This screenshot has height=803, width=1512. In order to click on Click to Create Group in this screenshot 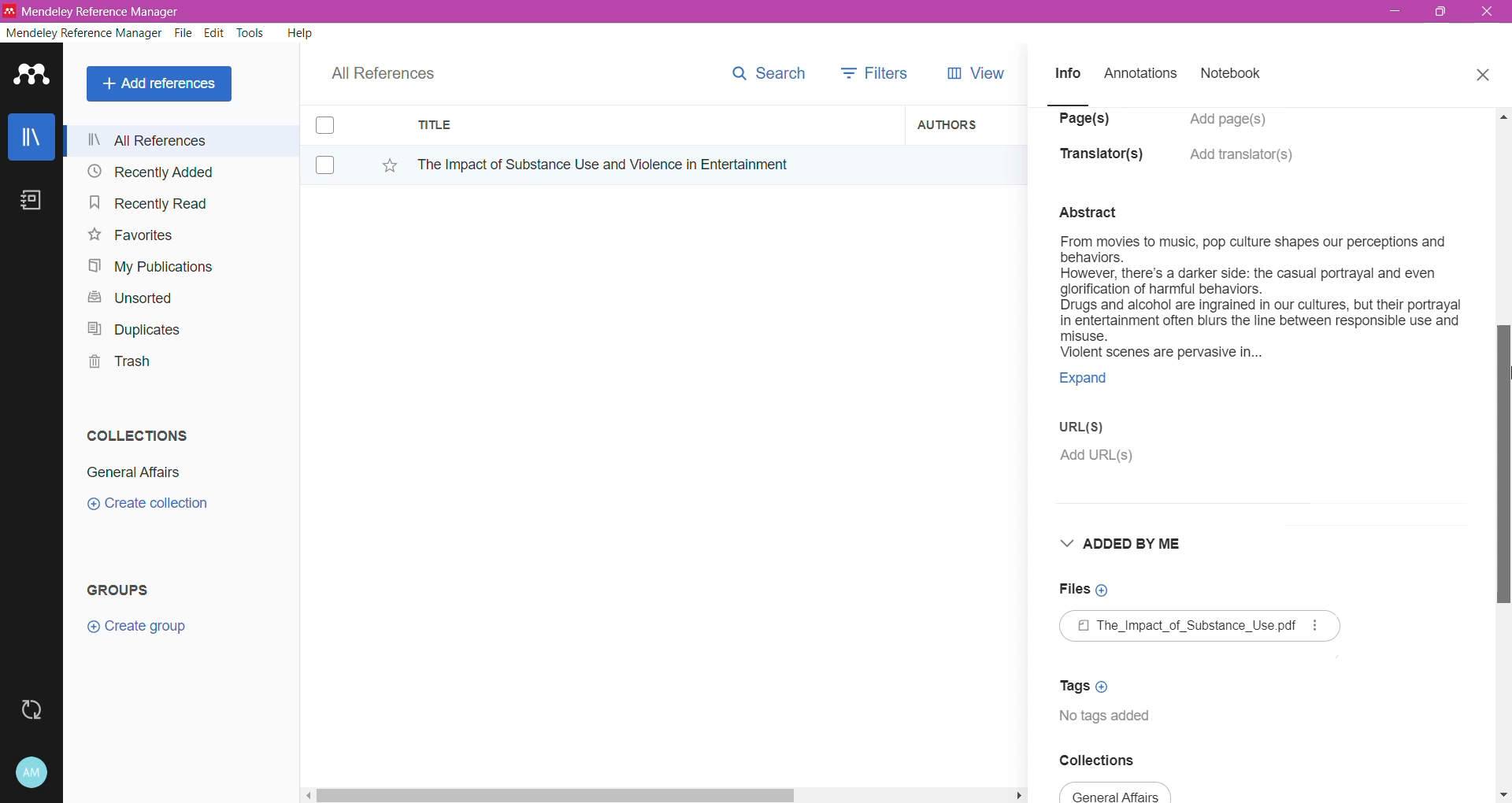, I will do `click(140, 632)`.